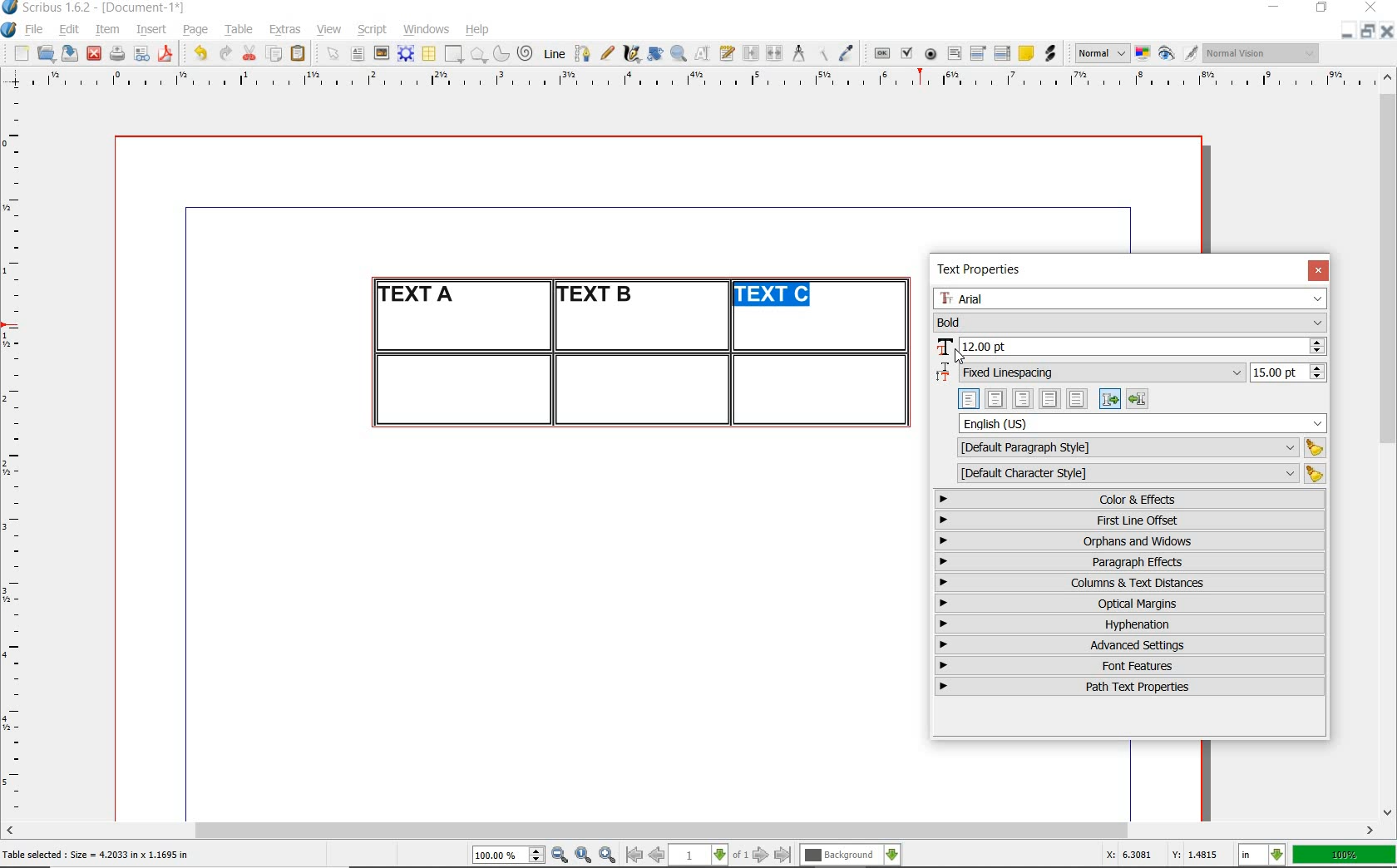 The height and width of the screenshot is (868, 1397). What do you see at coordinates (526, 53) in the screenshot?
I see `spiral` at bounding box center [526, 53].